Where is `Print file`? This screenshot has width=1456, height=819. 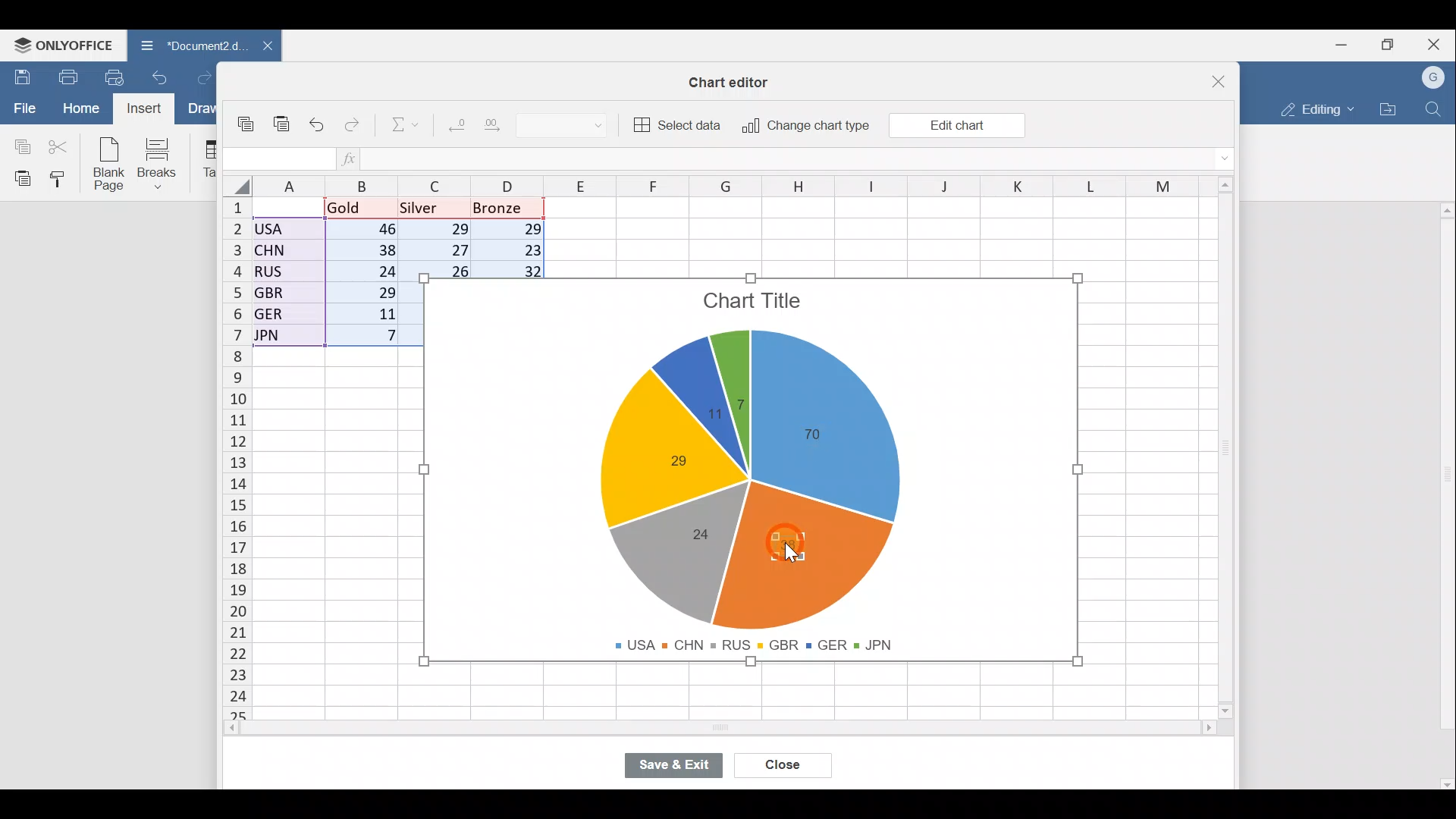
Print file is located at coordinates (67, 76).